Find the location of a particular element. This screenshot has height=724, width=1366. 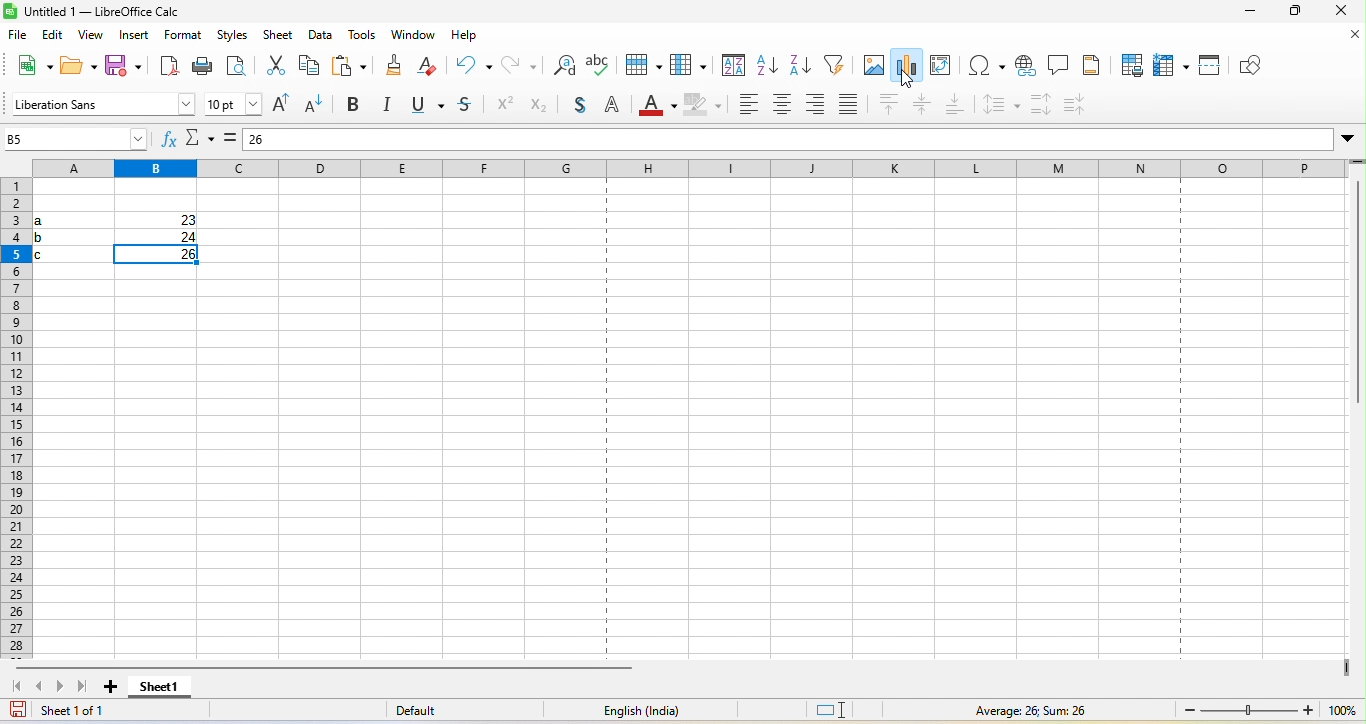

a is located at coordinates (52, 217).